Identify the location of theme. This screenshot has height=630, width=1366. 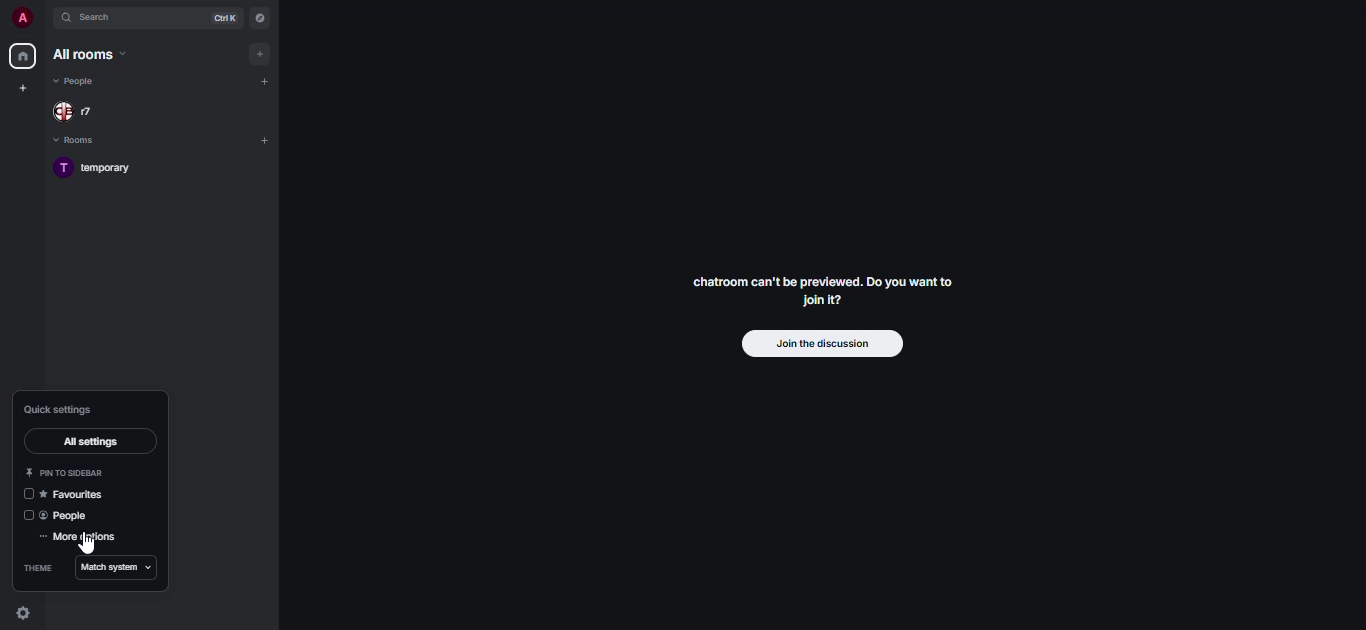
(38, 569).